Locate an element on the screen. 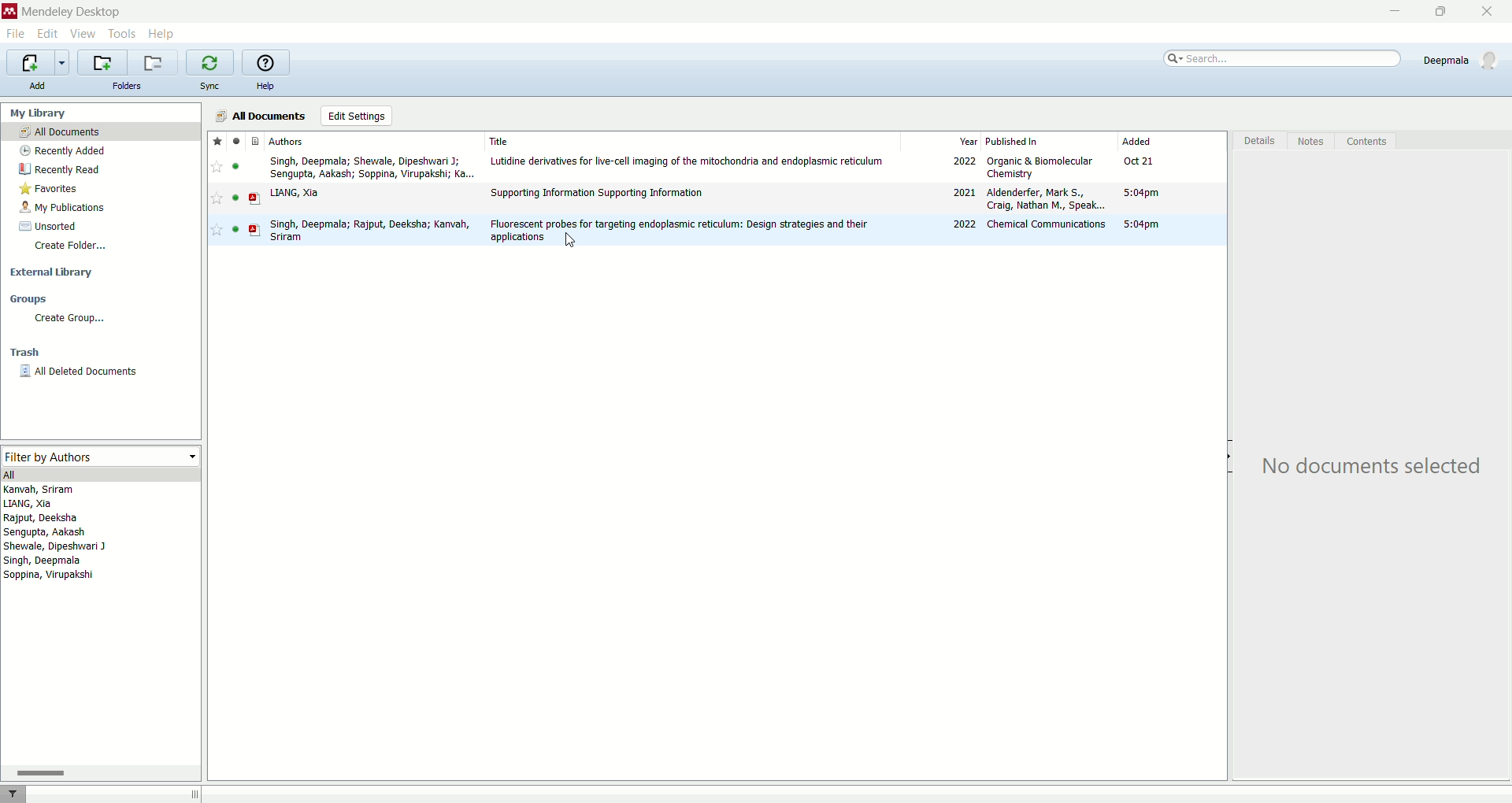  help is located at coordinates (161, 34).